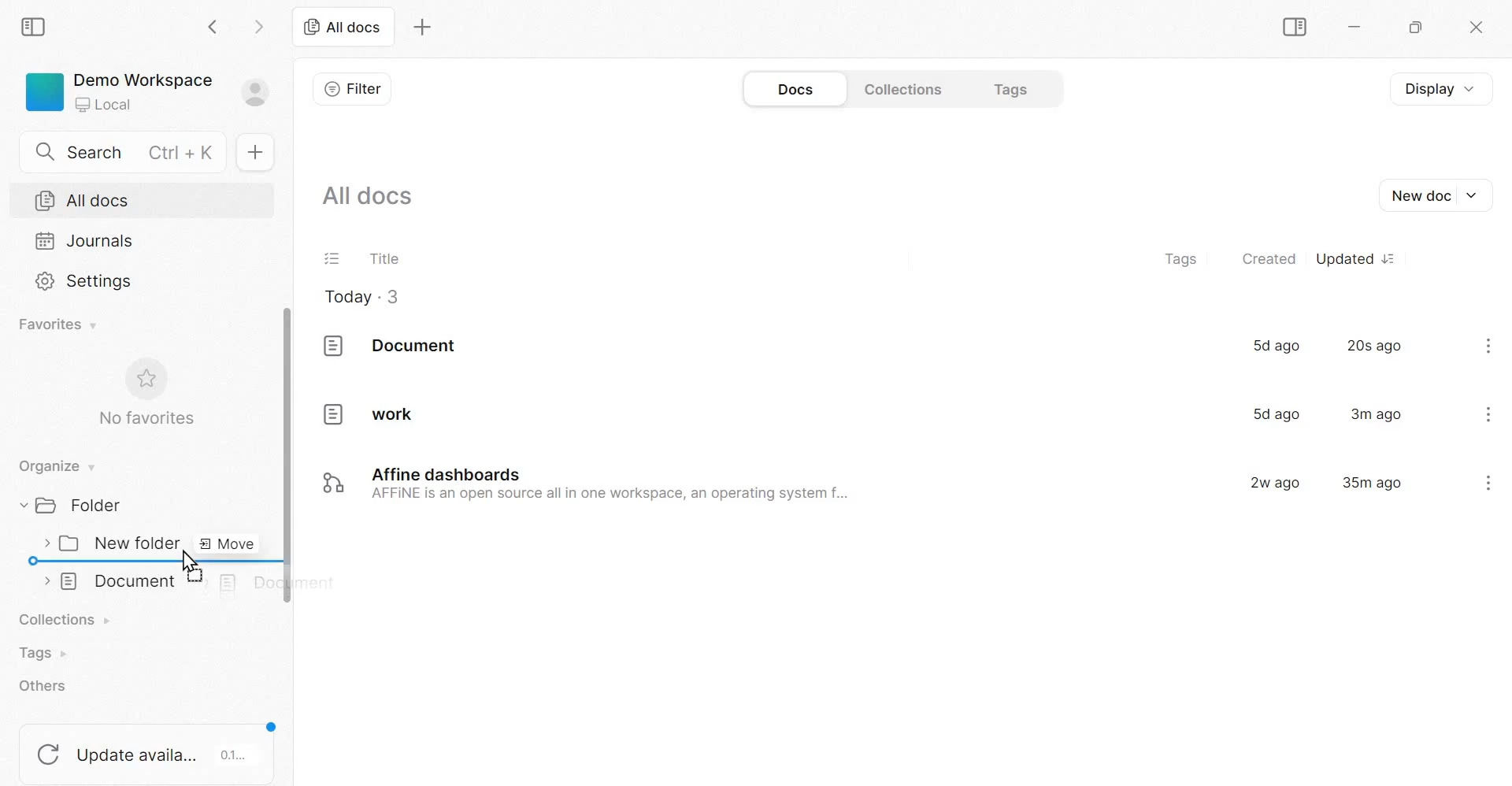  What do you see at coordinates (1477, 28) in the screenshot?
I see `close` at bounding box center [1477, 28].